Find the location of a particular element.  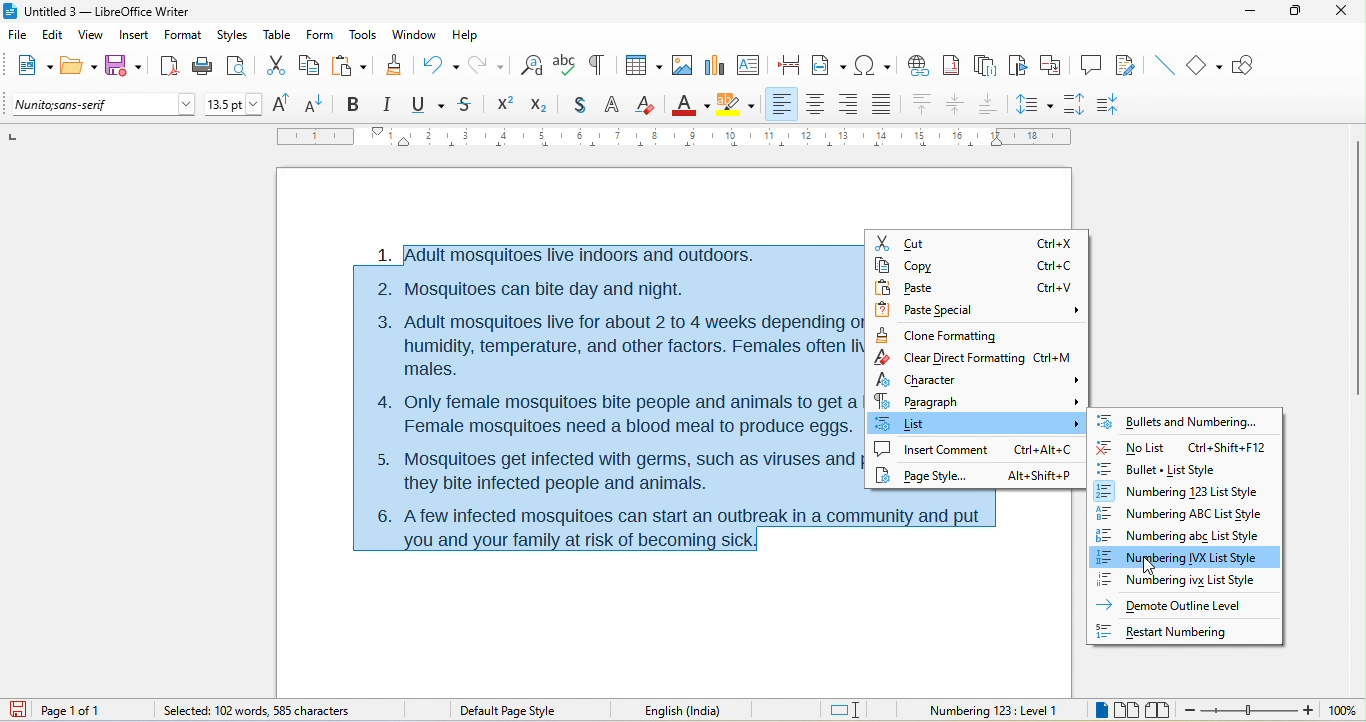

numbering 123 level 1 is located at coordinates (994, 708).